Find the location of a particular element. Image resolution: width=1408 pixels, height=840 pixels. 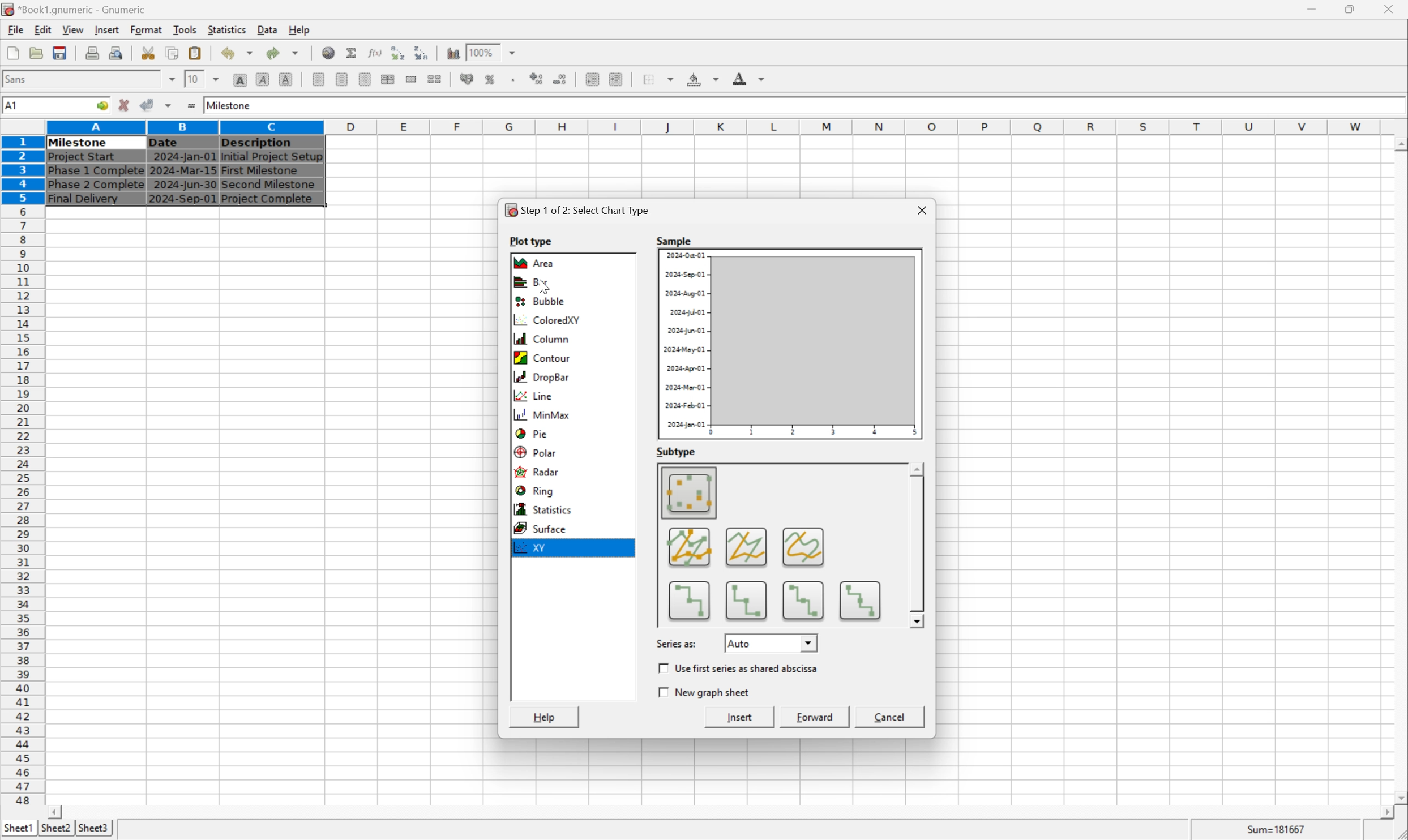

redo is located at coordinates (285, 52).